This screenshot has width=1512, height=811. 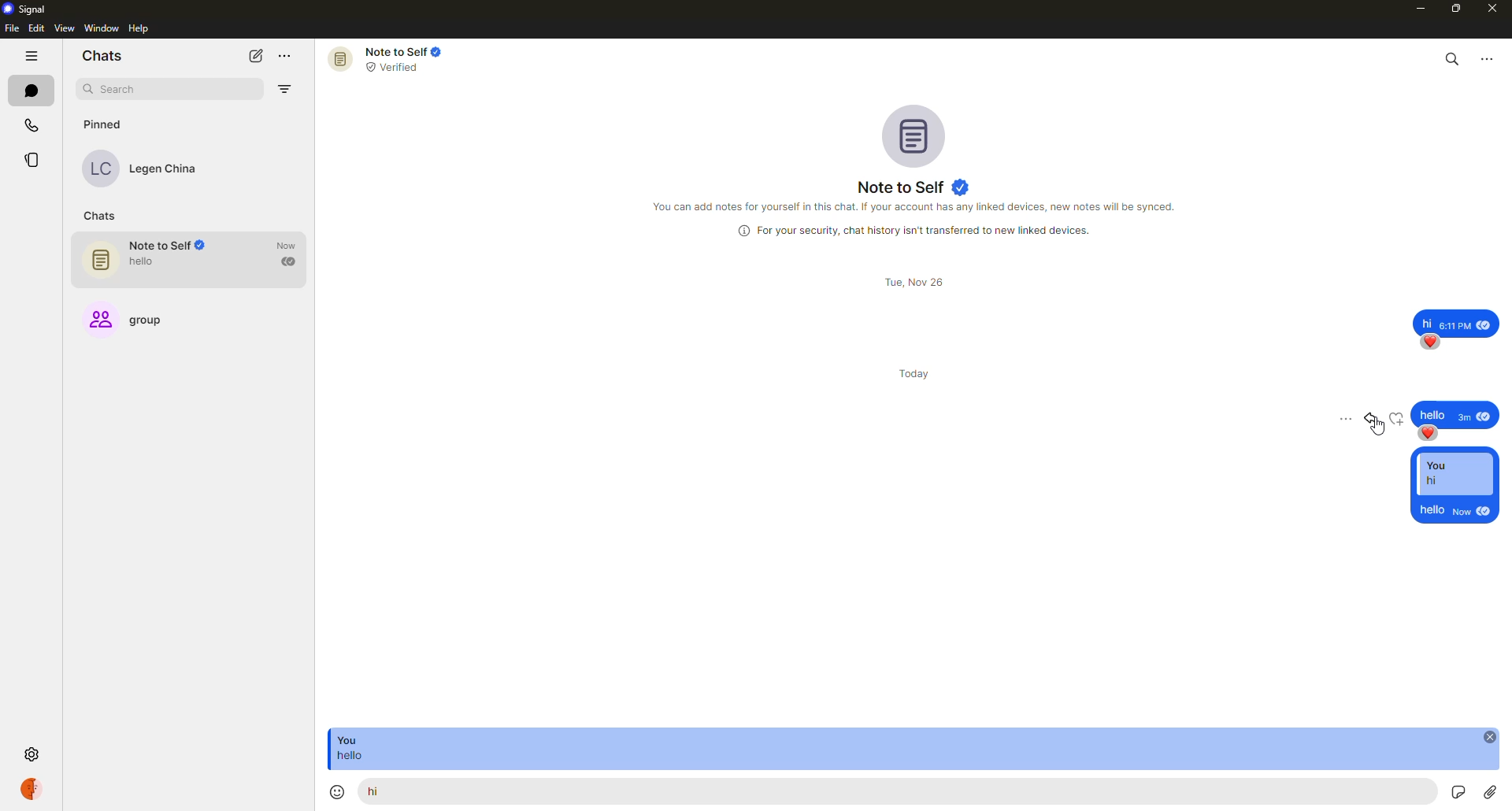 I want to click on message, so click(x=1457, y=414).